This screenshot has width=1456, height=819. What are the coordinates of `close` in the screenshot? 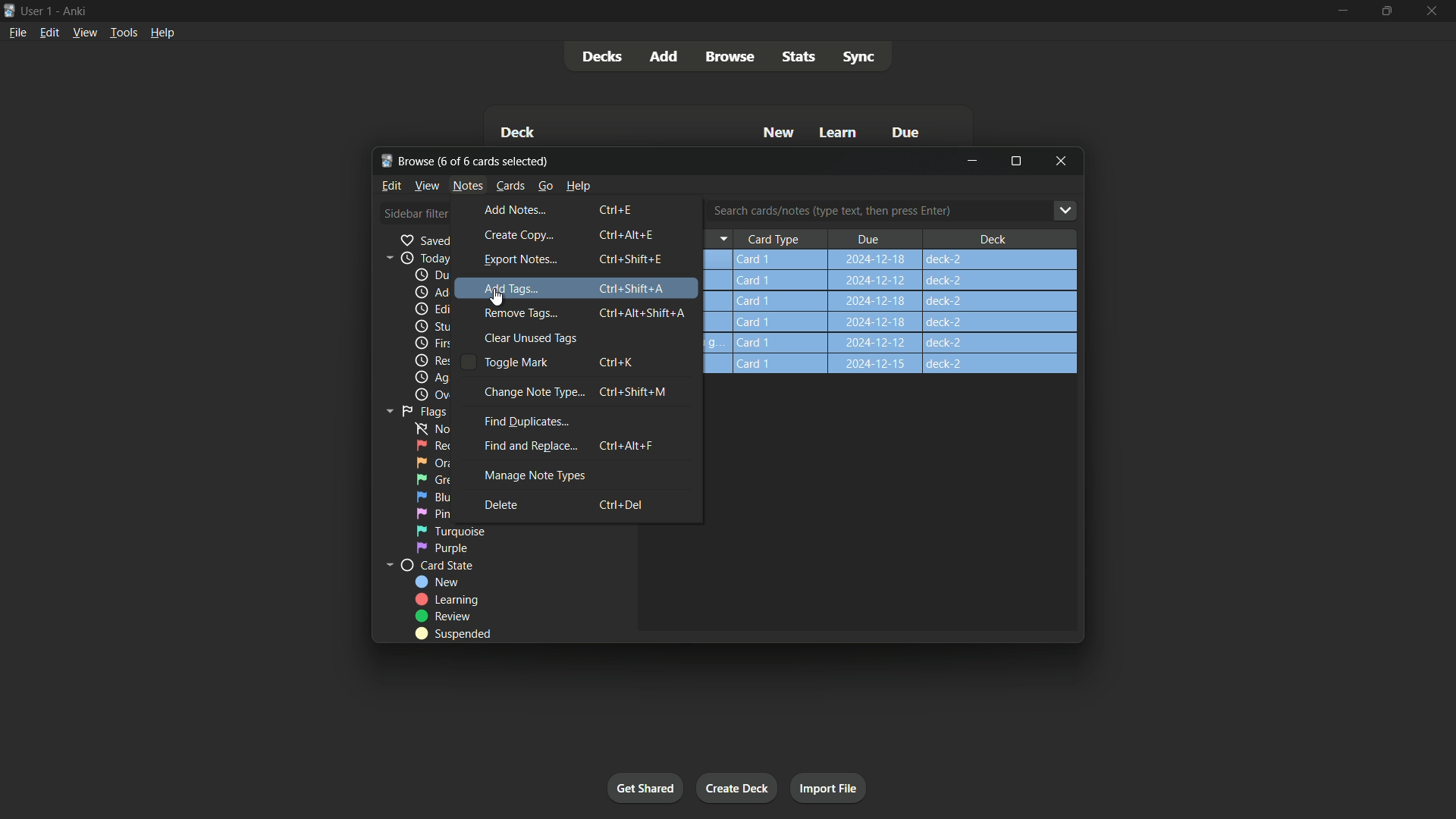 It's located at (1435, 10).